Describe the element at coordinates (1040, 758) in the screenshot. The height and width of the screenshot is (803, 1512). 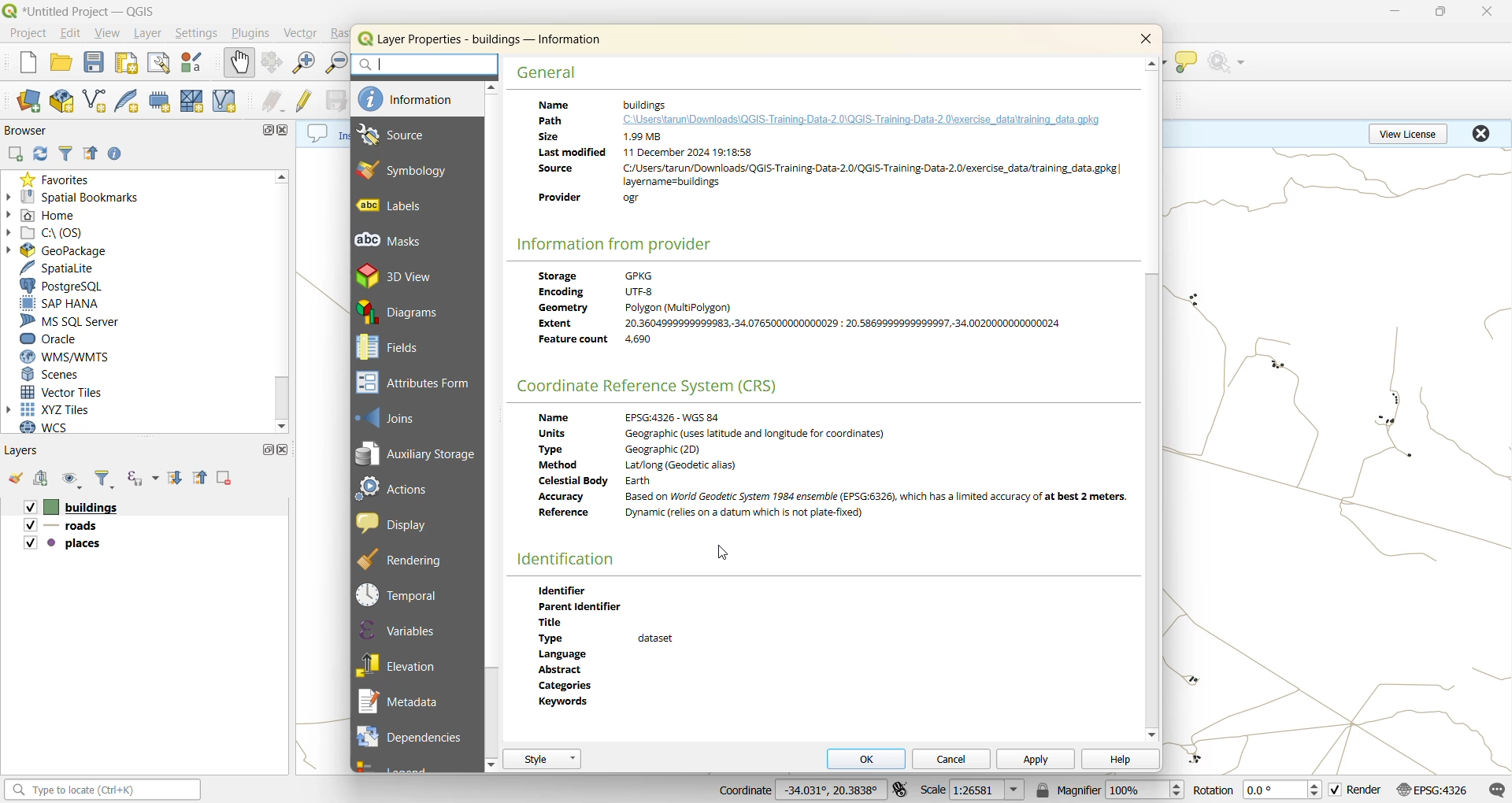
I see `apply` at that location.